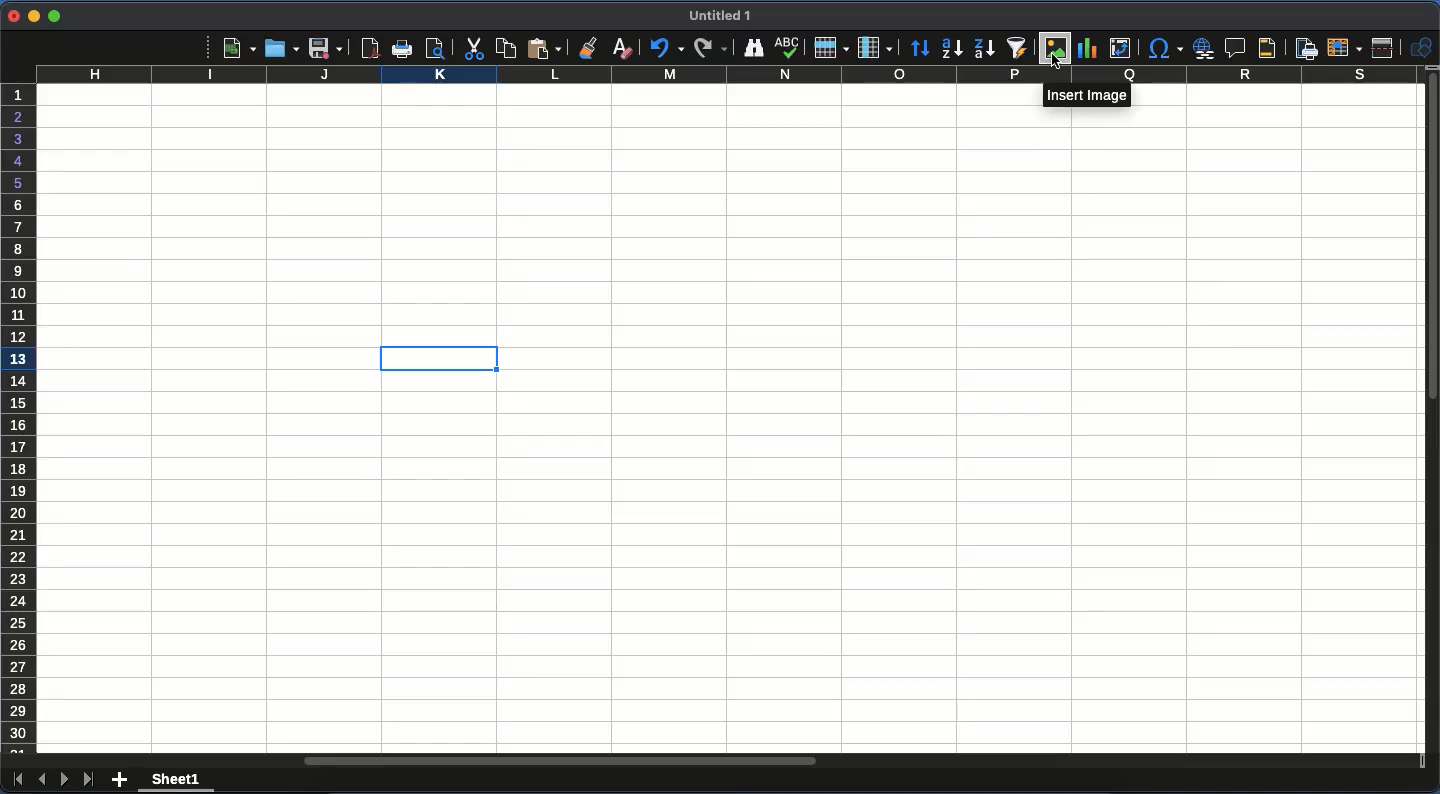  I want to click on save, so click(327, 49).